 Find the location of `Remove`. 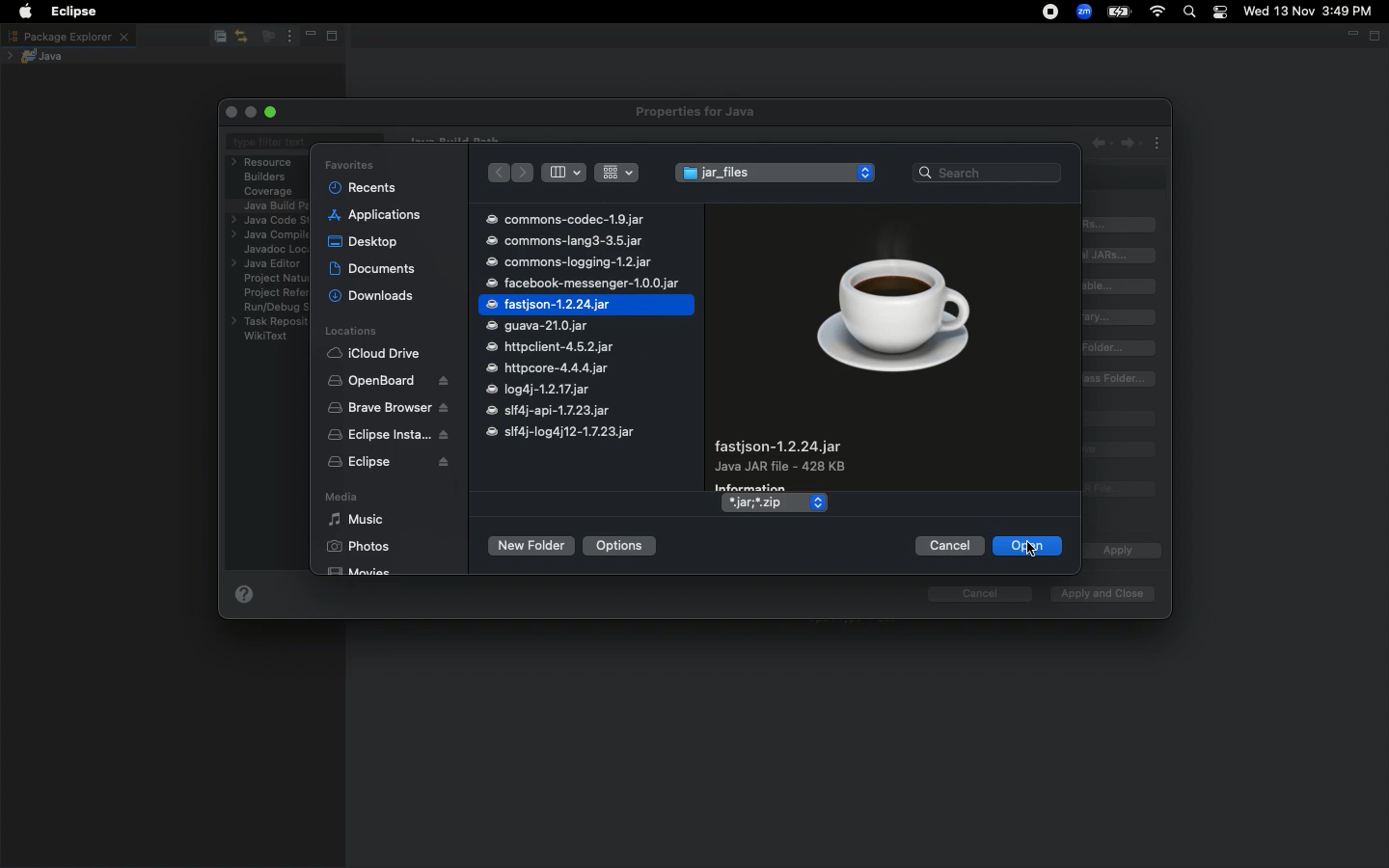

Remove is located at coordinates (1120, 449).